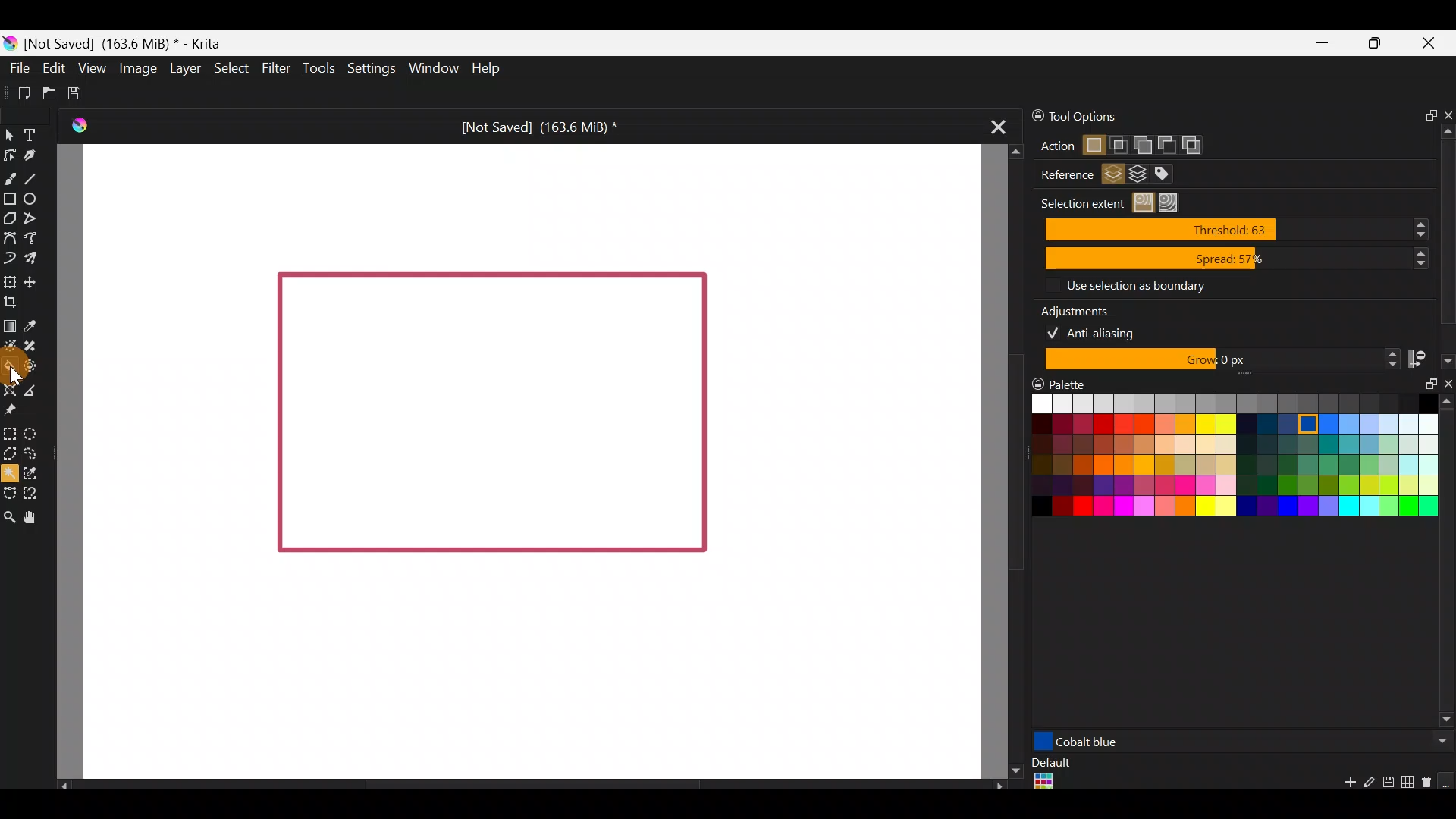  Describe the element at coordinates (1447, 230) in the screenshot. I see `Scroll  bar` at that location.